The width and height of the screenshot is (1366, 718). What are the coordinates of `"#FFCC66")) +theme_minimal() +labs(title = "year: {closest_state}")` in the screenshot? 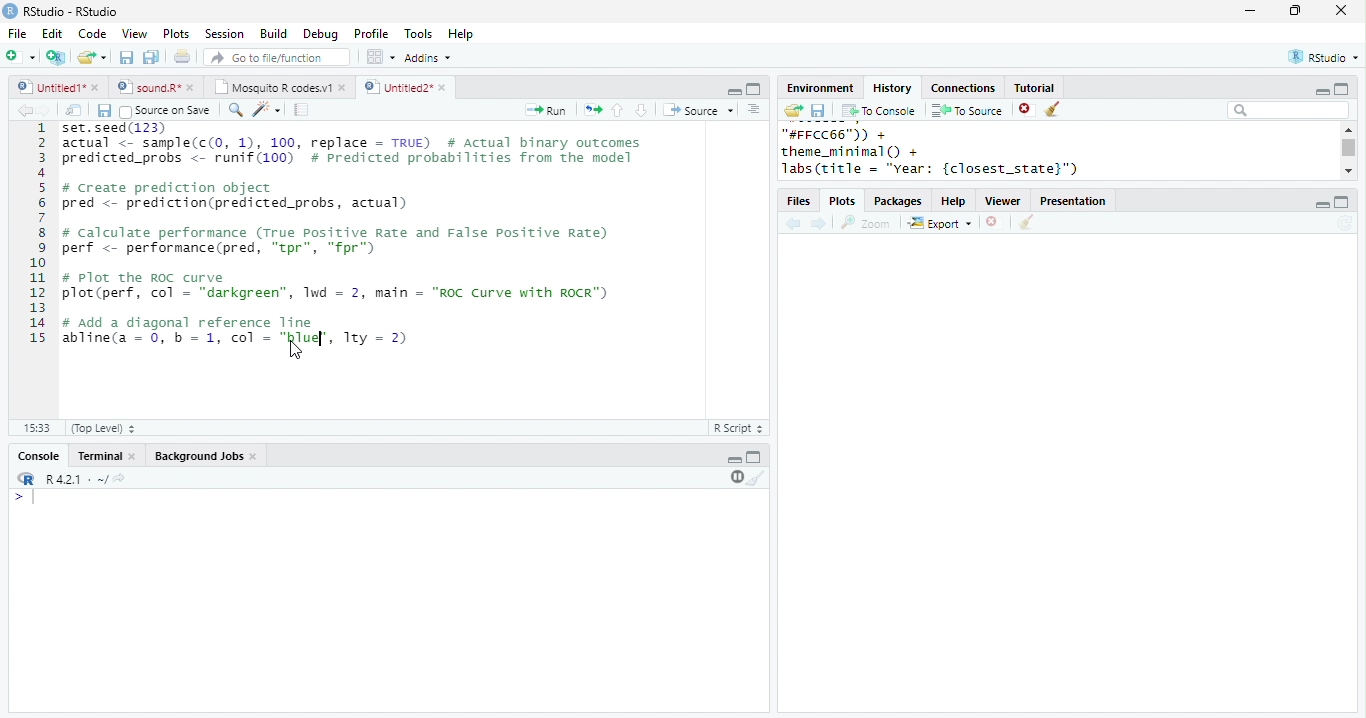 It's located at (955, 152).